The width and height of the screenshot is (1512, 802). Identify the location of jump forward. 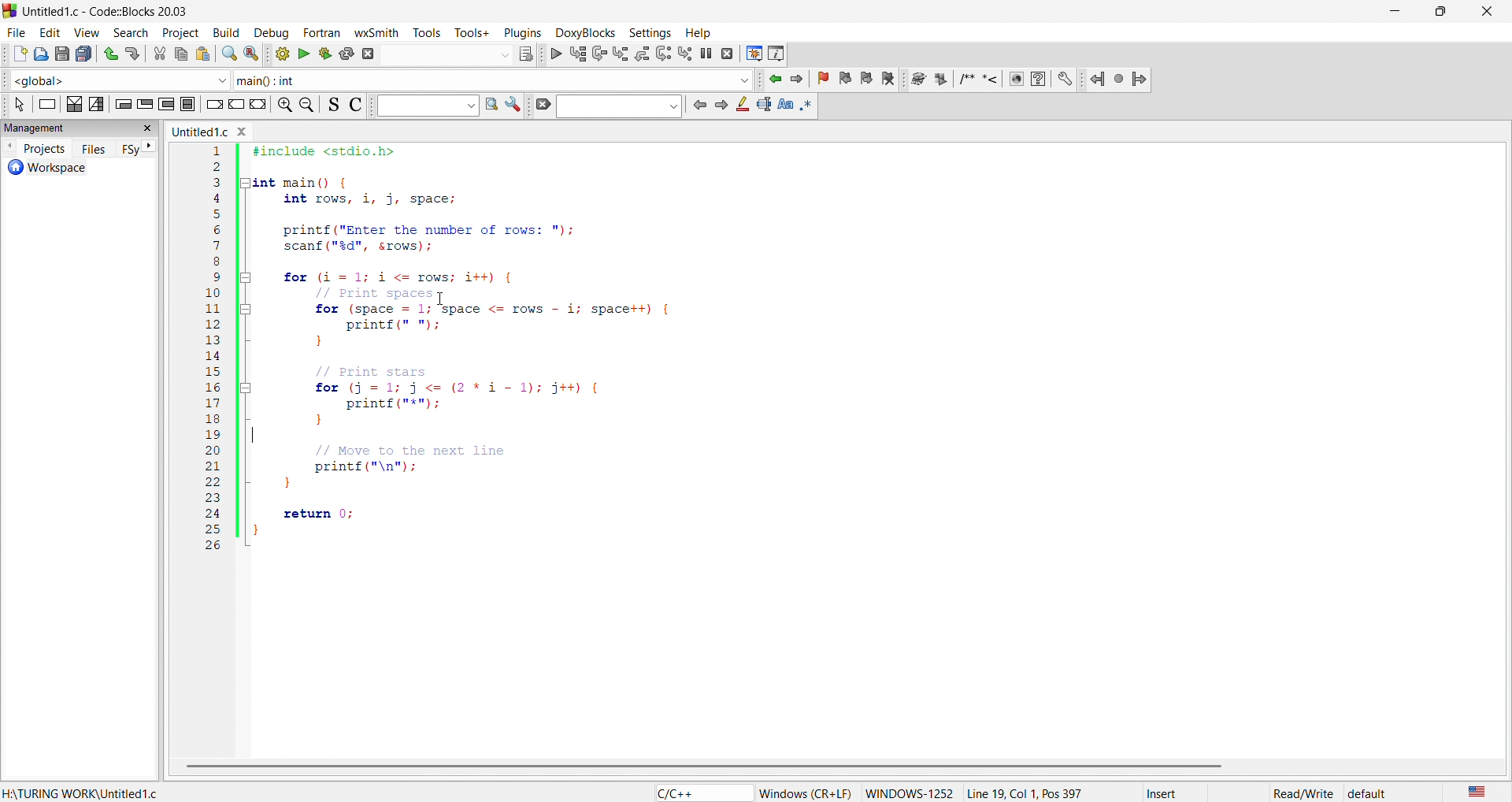
(801, 79).